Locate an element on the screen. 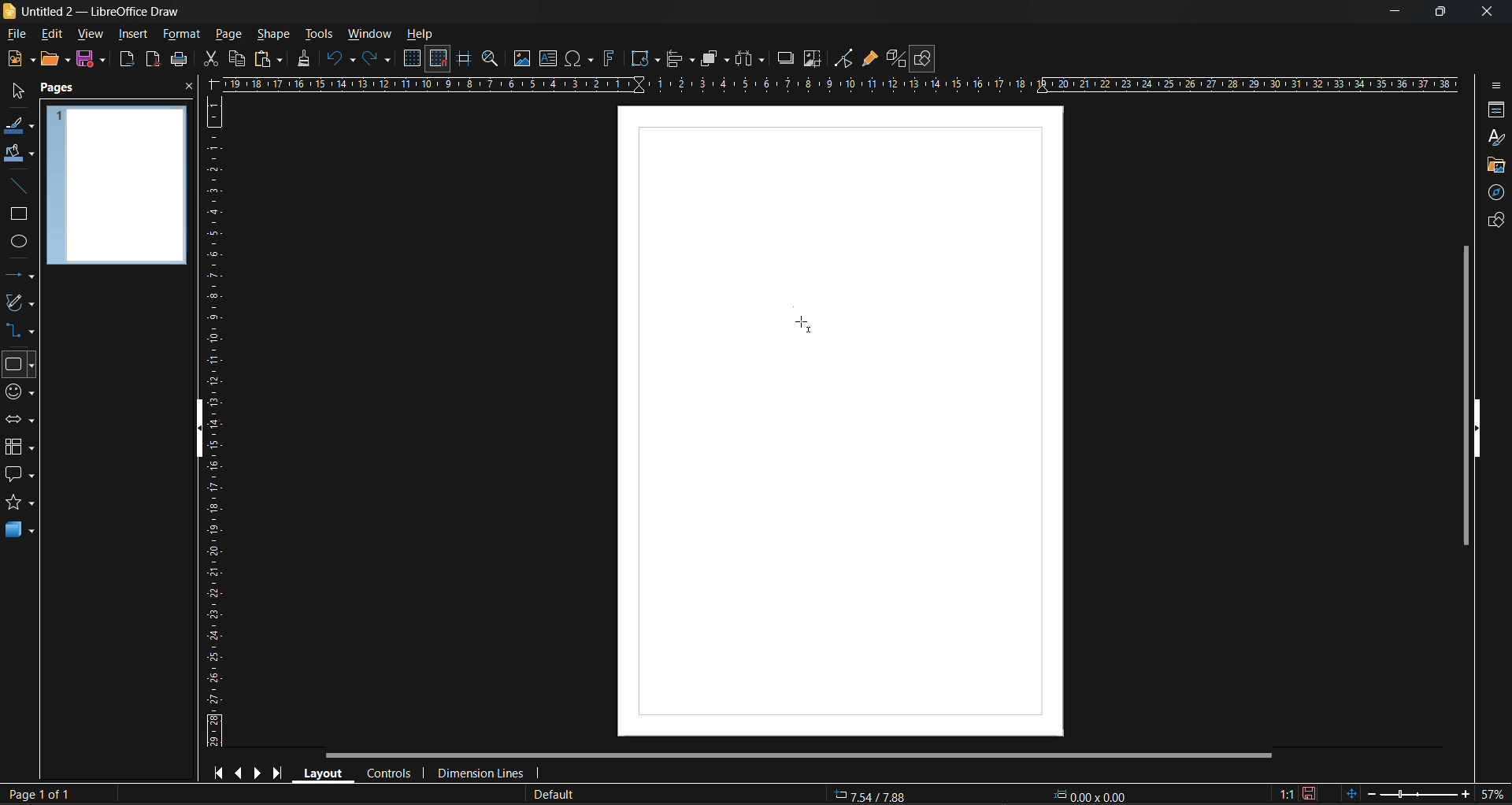 This screenshot has width=1512, height=805. shapes is located at coordinates (1494, 220).